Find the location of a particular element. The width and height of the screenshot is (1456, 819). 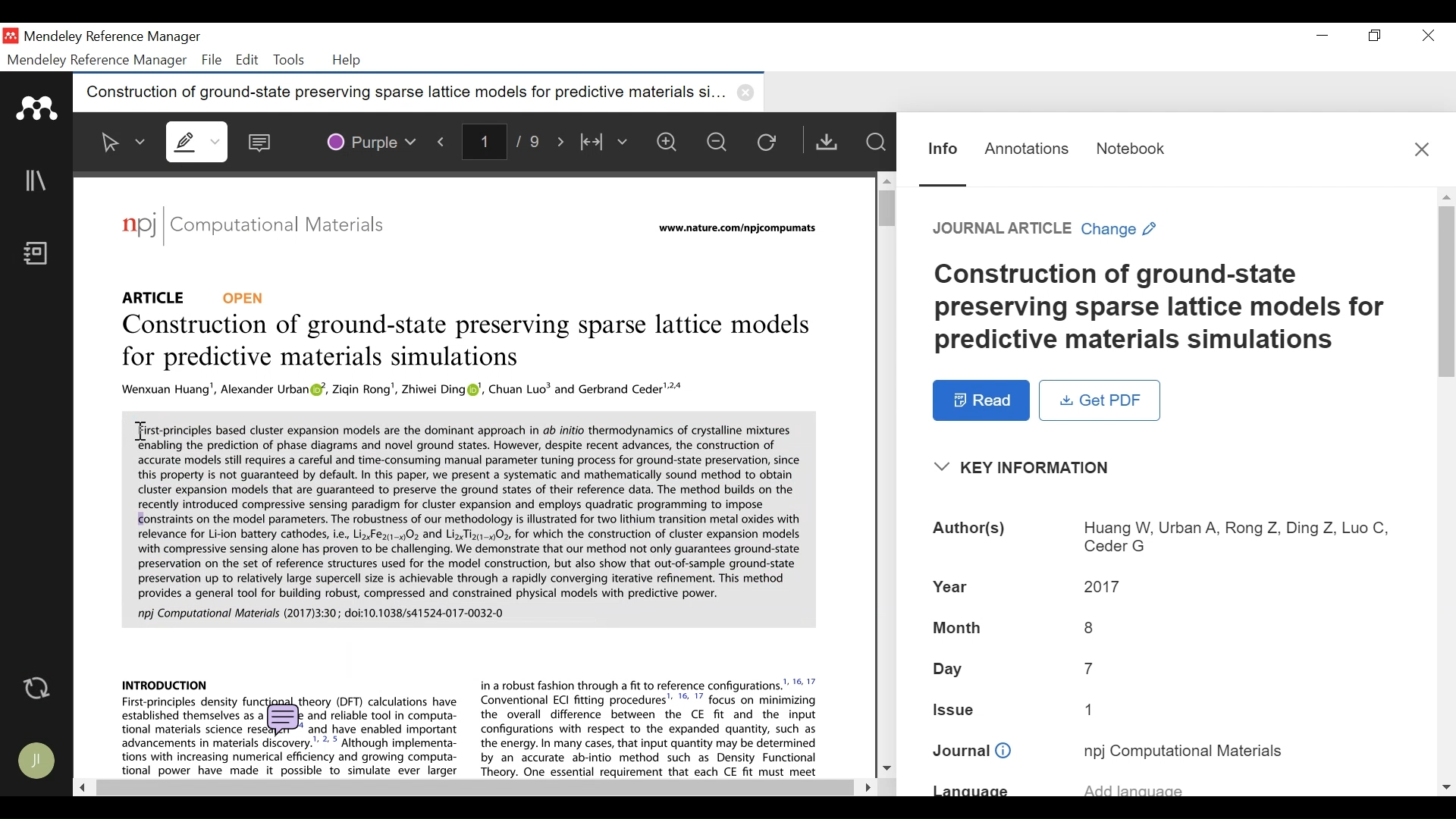

Issue is located at coordinates (1095, 708).